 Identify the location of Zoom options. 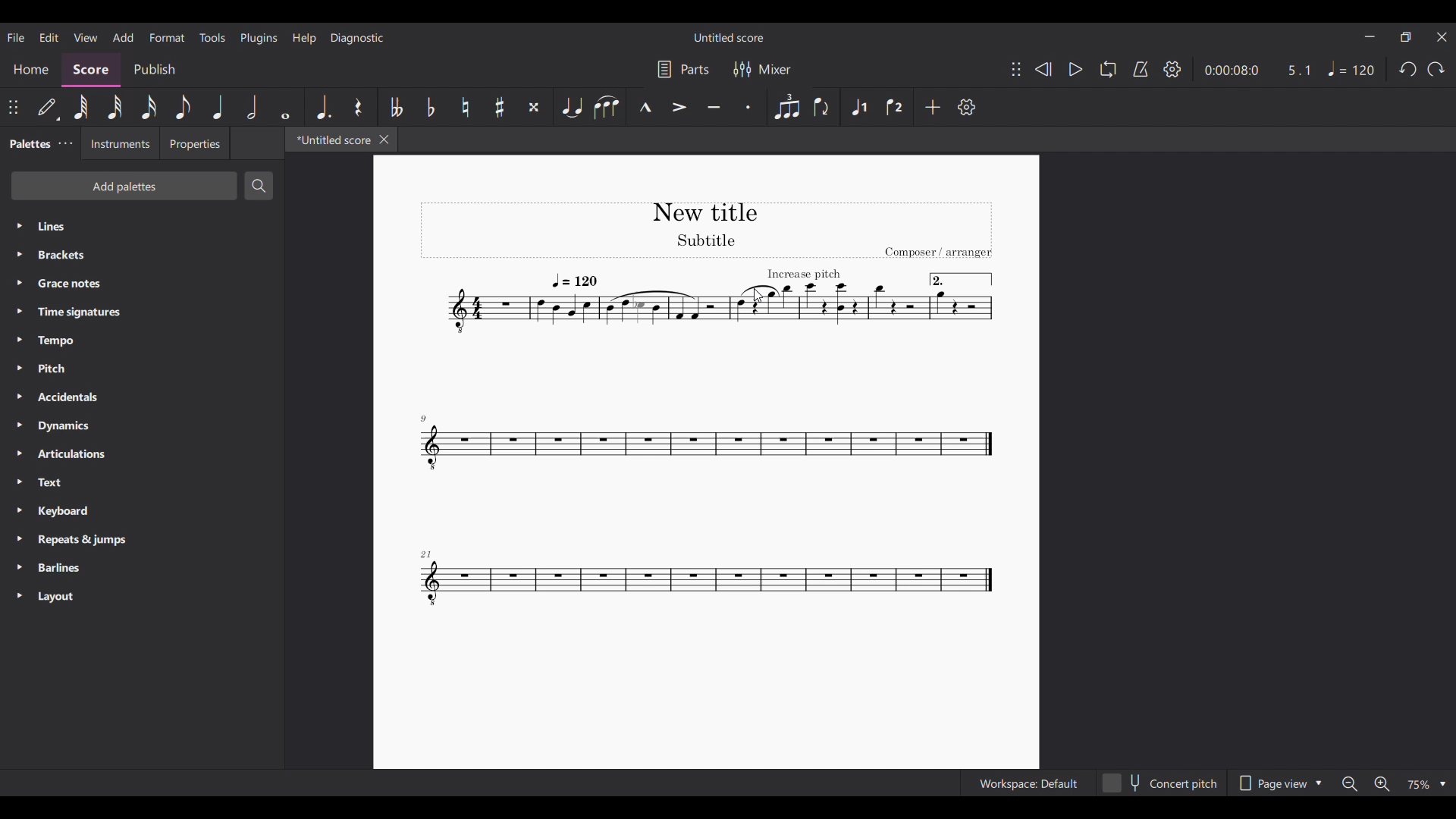
(1426, 784).